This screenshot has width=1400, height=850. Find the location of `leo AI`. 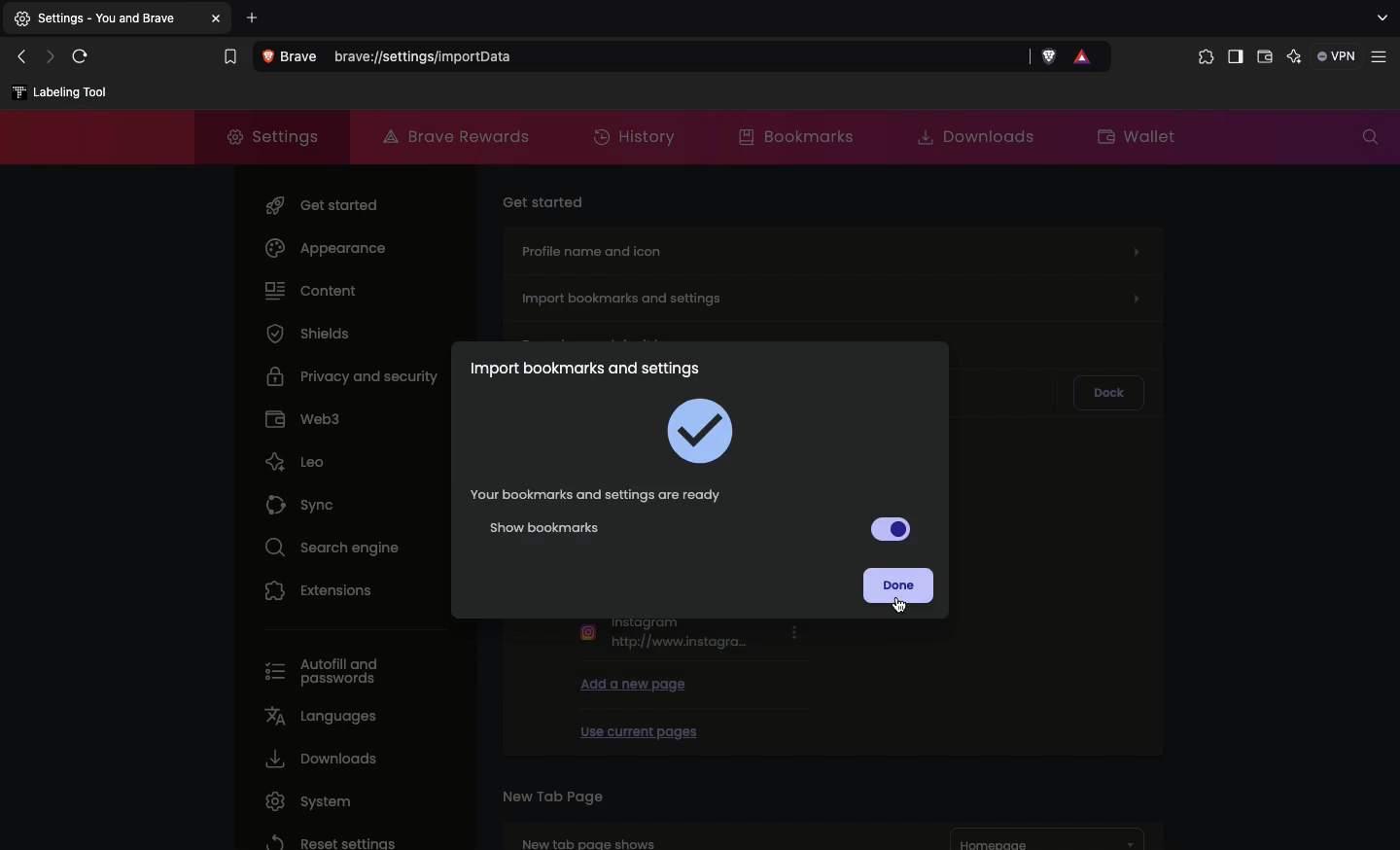

leo AI is located at coordinates (1294, 57).